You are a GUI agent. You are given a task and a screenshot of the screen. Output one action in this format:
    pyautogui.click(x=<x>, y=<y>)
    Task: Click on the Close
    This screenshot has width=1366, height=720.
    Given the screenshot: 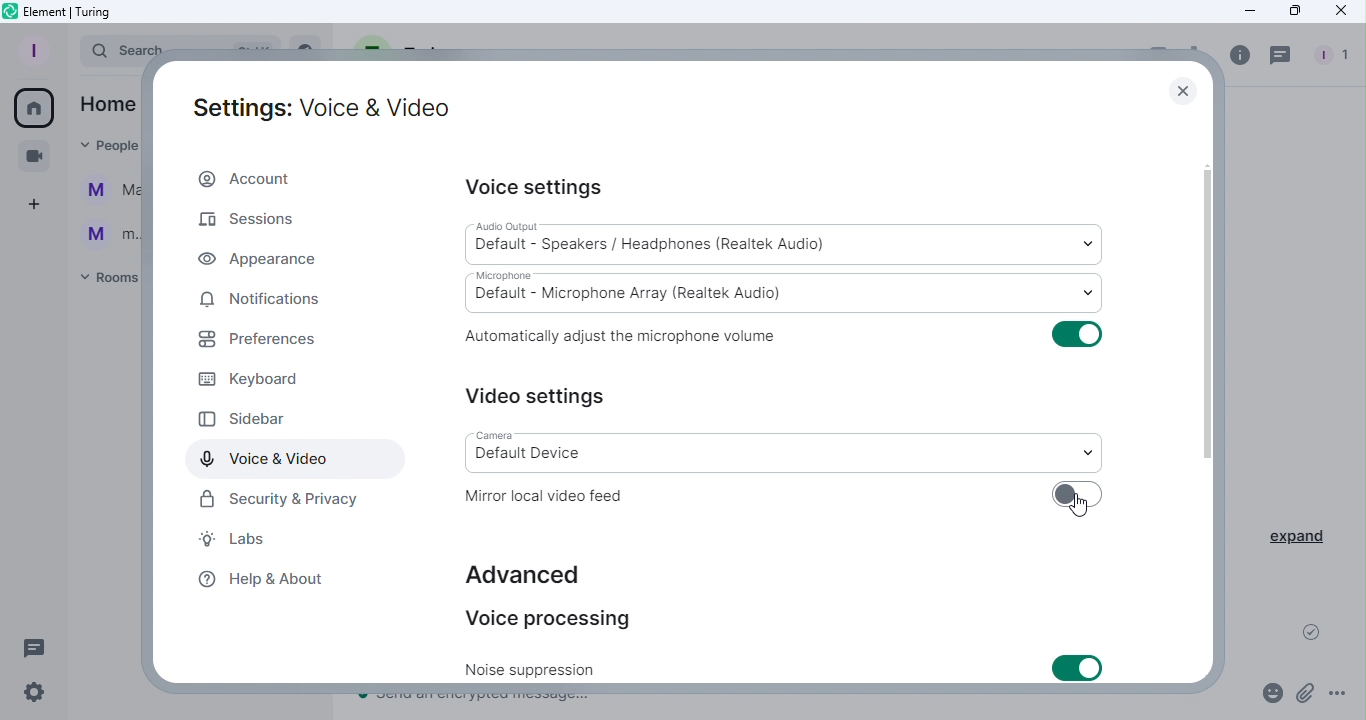 What is the action you would take?
    pyautogui.click(x=1179, y=88)
    